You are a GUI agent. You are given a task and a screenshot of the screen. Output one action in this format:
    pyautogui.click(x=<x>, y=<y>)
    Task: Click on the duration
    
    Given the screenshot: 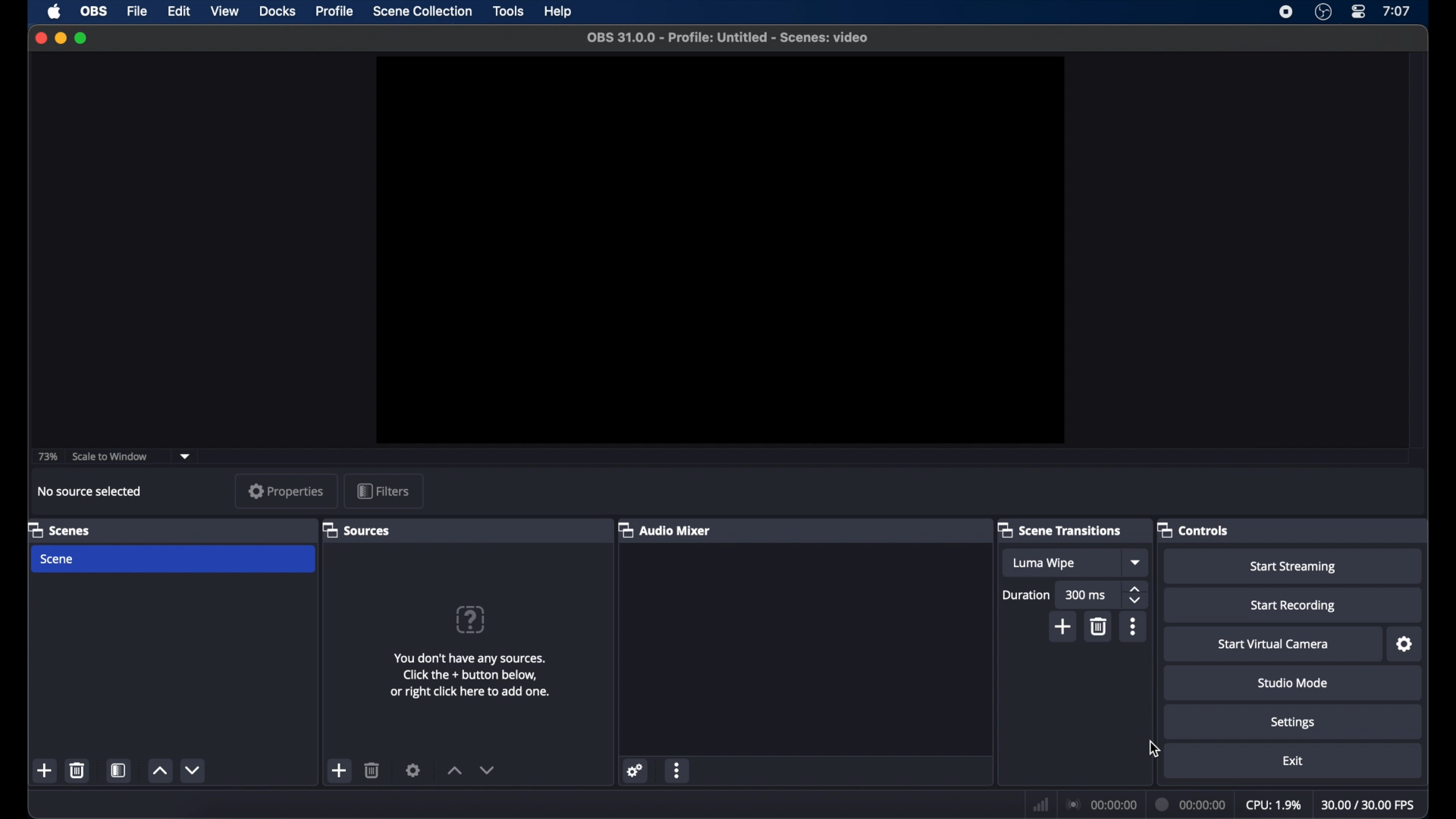 What is the action you would take?
    pyautogui.click(x=1025, y=595)
    